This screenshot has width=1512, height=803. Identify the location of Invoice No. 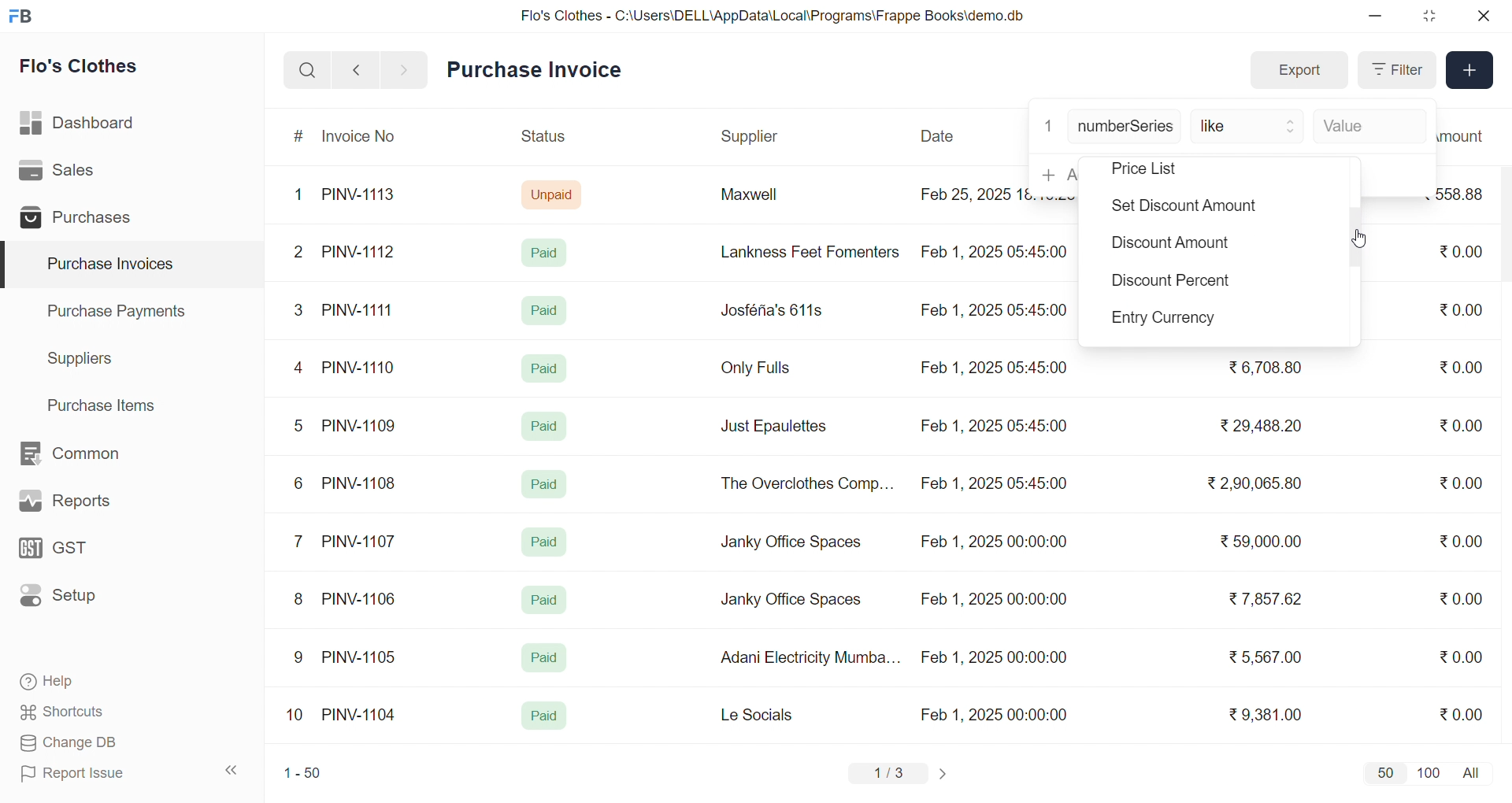
(365, 137).